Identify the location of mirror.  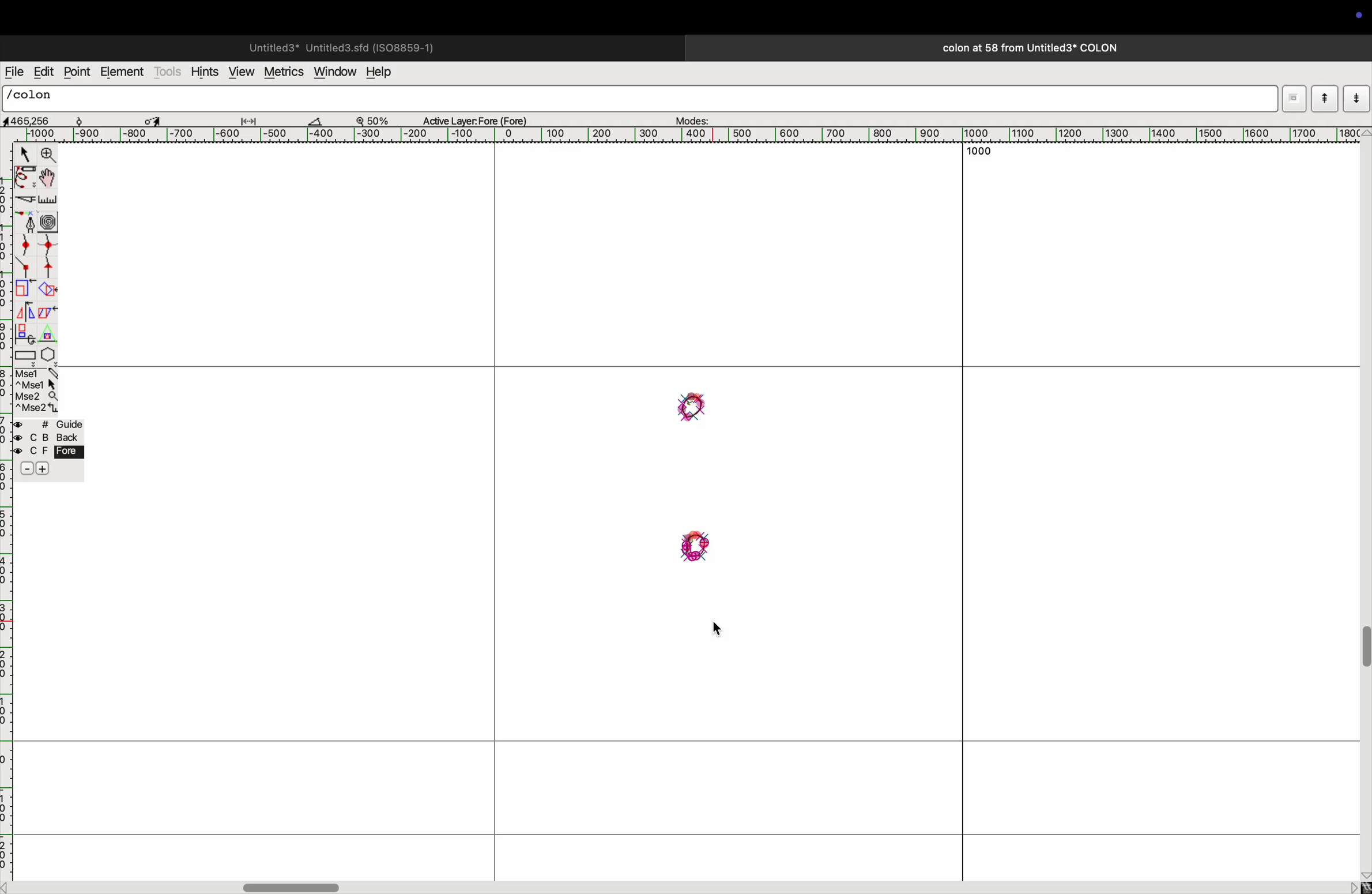
(28, 311).